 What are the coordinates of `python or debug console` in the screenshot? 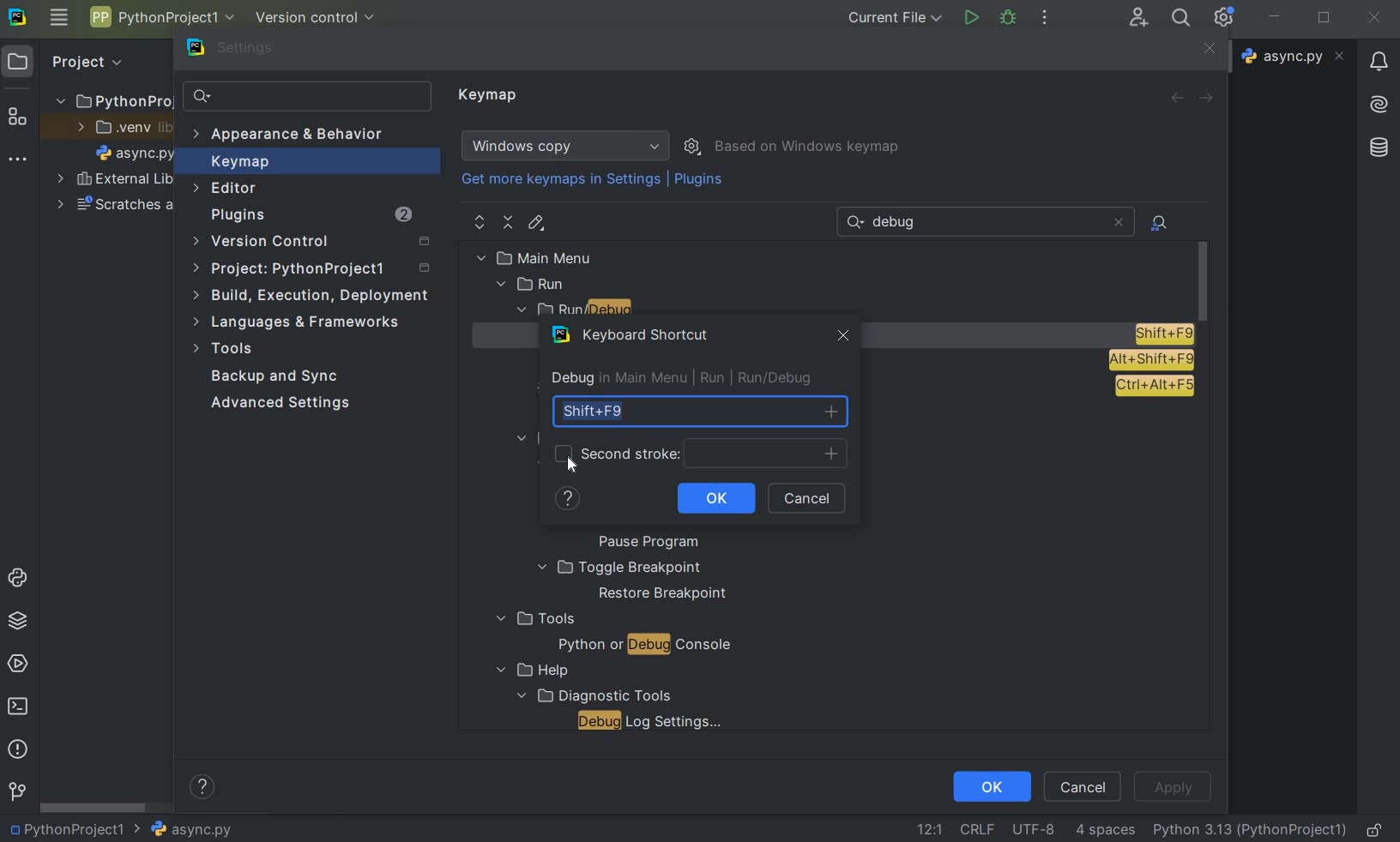 It's located at (644, 647).